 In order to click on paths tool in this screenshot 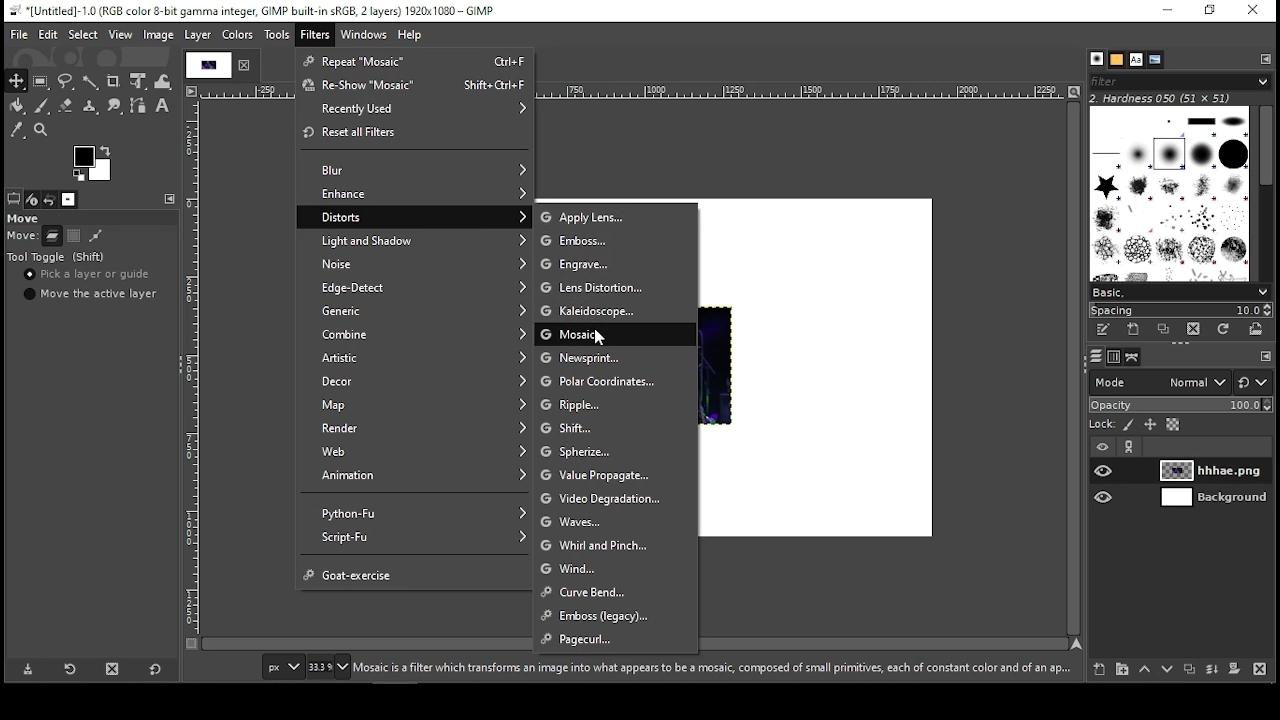, I will do `click(139, 108)`.